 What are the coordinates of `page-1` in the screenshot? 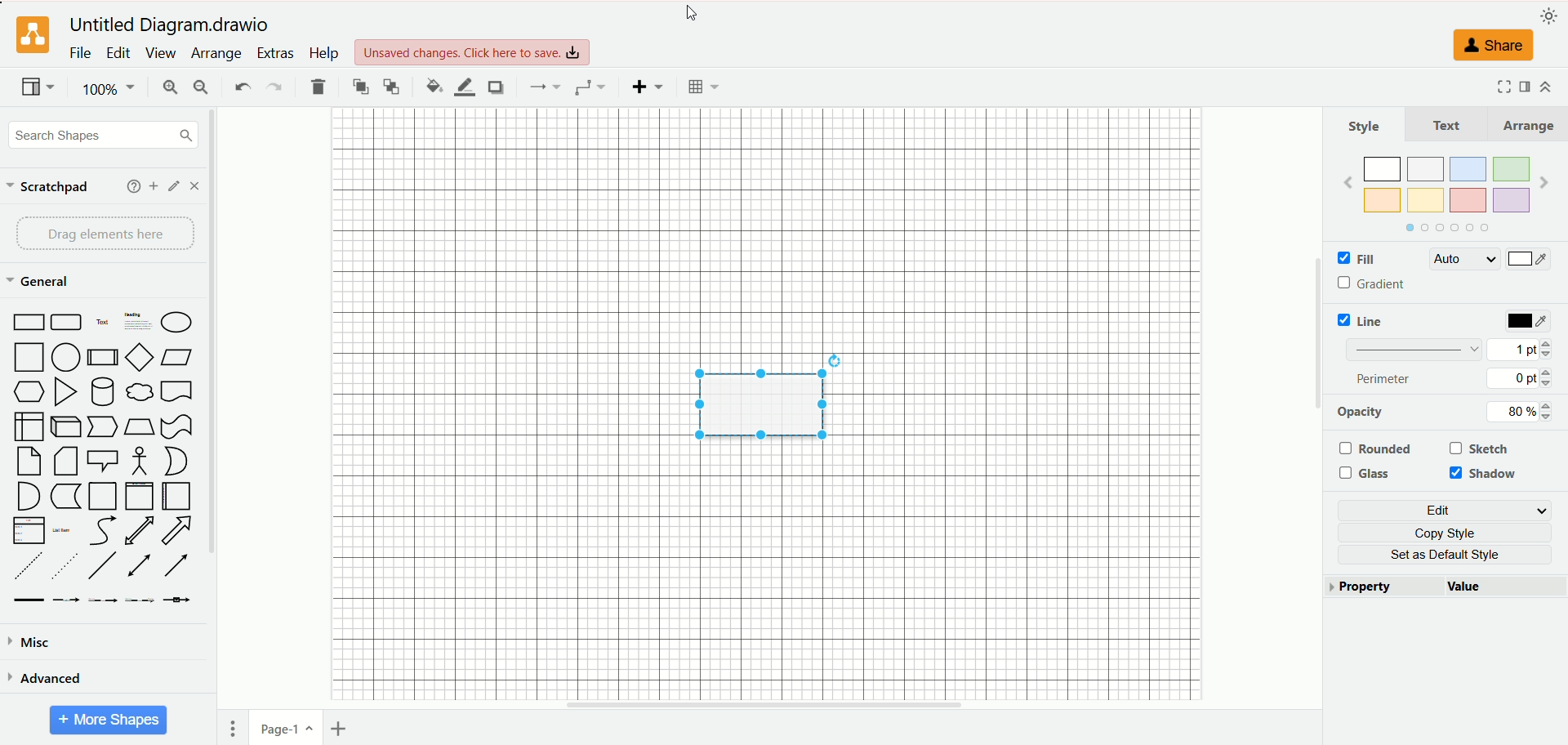 It's located at (287, 726).